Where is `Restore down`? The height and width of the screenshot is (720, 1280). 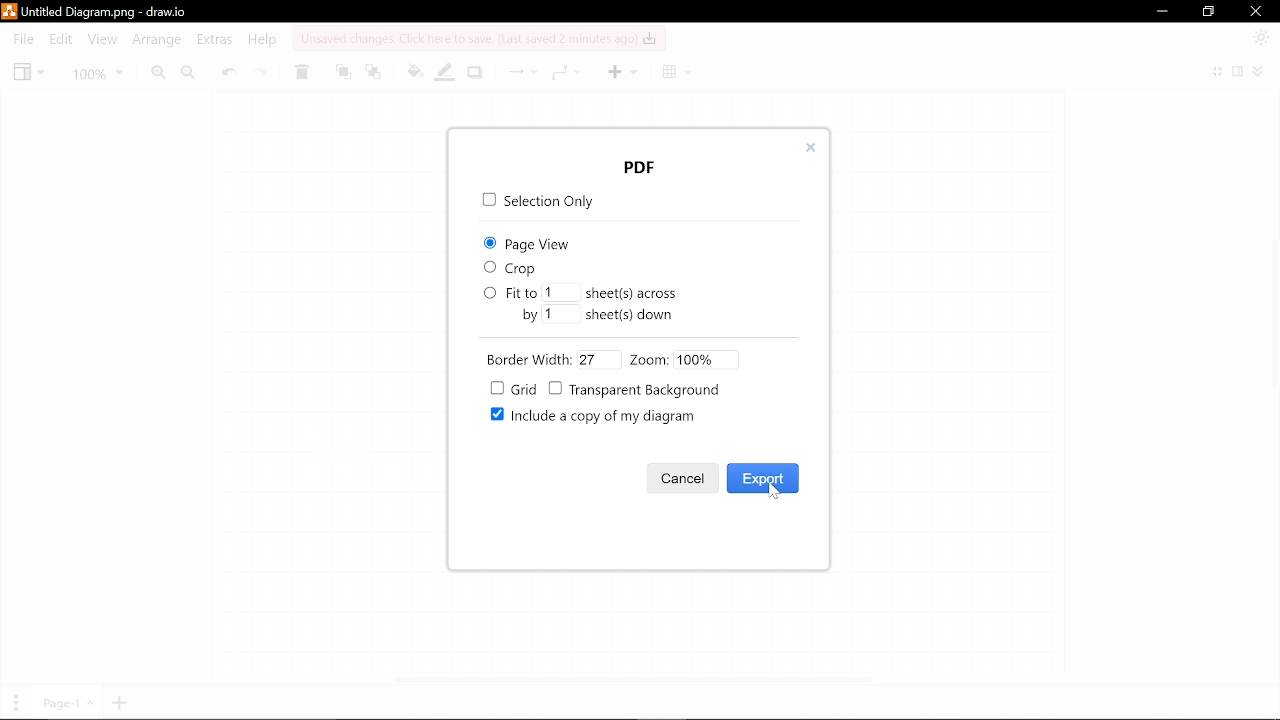
Restore down is located at coordinates (1207, 12).